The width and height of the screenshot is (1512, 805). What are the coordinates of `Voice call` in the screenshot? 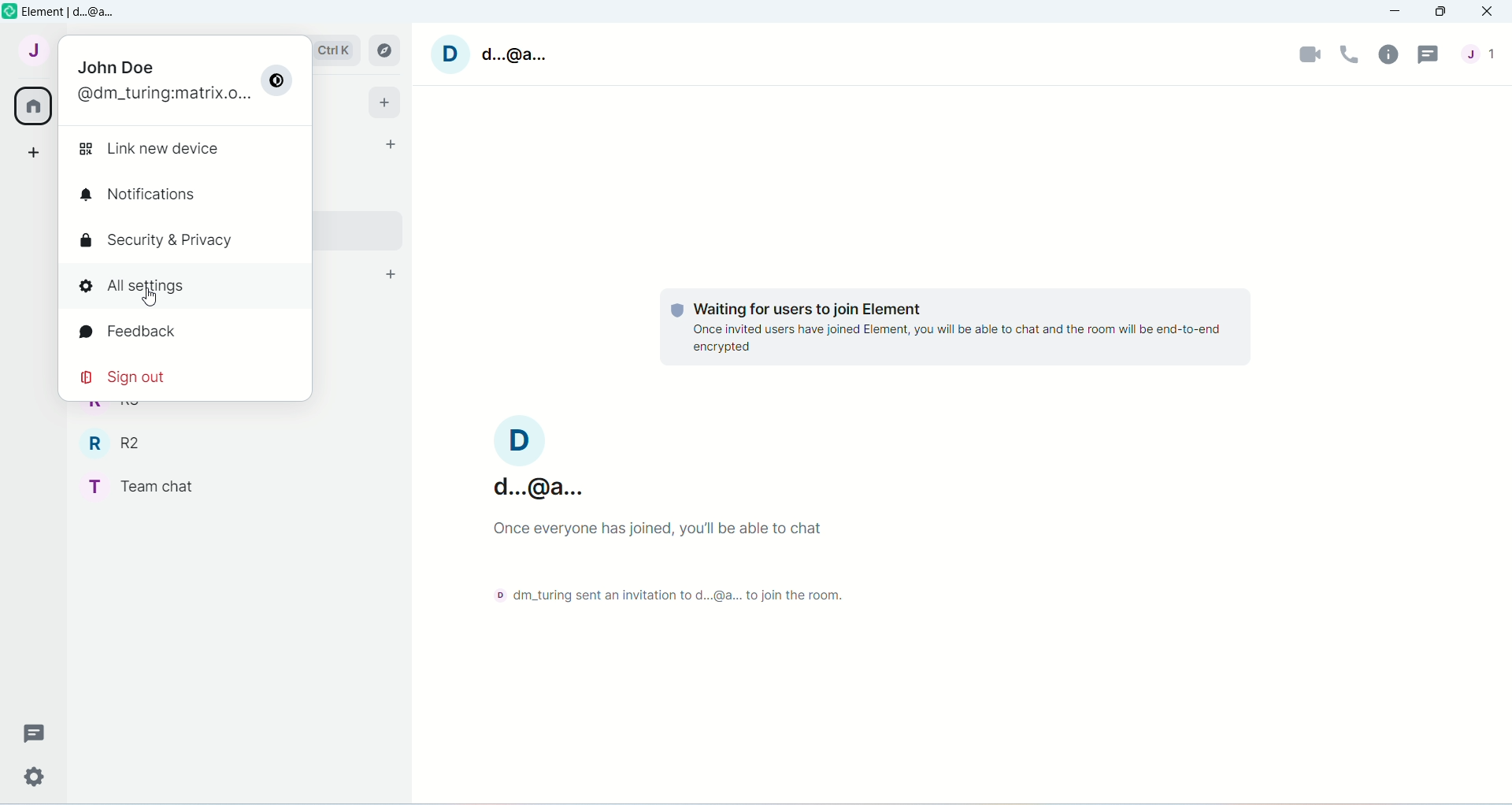 It's located at (1350, 53).